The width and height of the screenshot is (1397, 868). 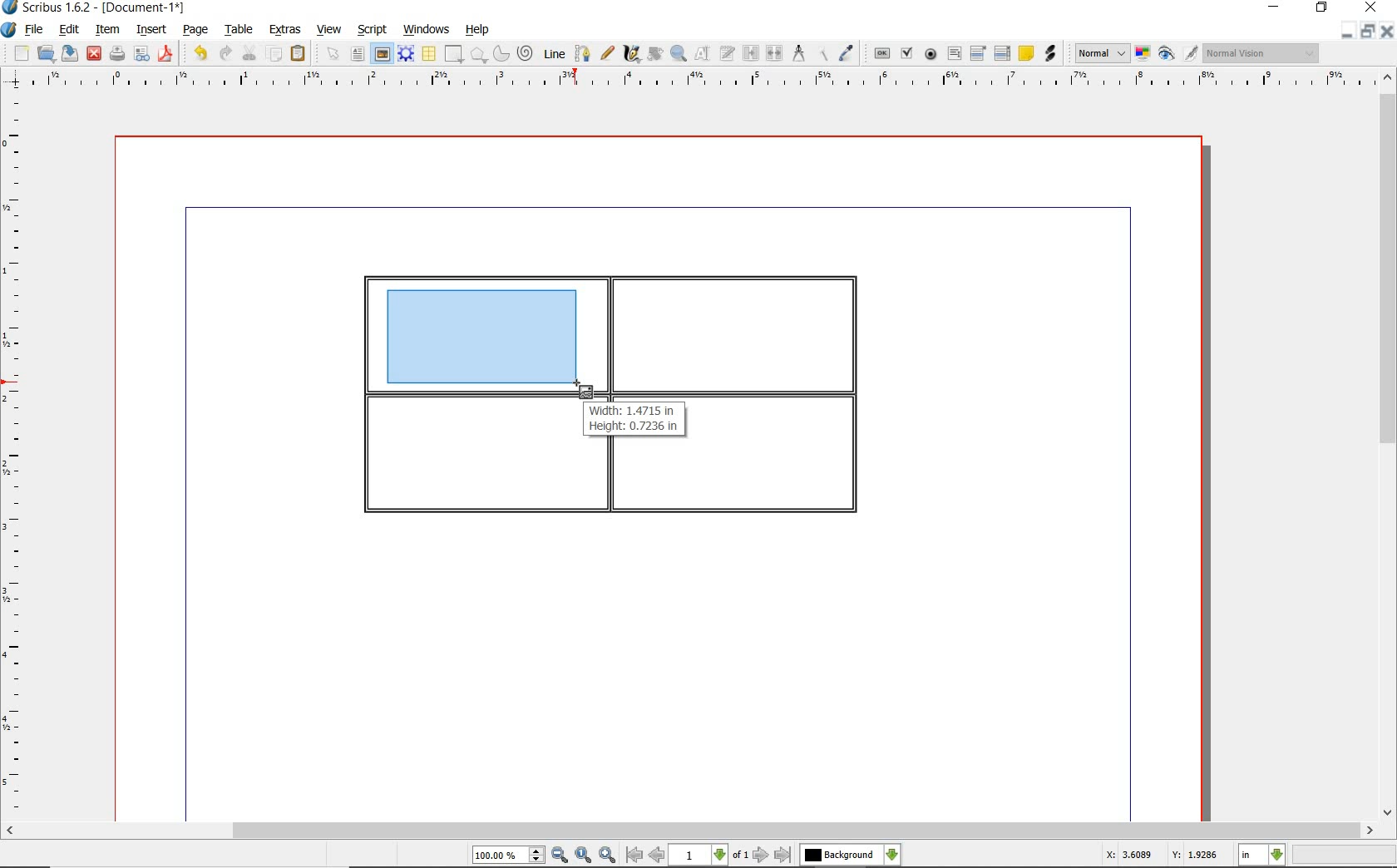 I want to click on toggle color management system, so click(x=1144, y=55).